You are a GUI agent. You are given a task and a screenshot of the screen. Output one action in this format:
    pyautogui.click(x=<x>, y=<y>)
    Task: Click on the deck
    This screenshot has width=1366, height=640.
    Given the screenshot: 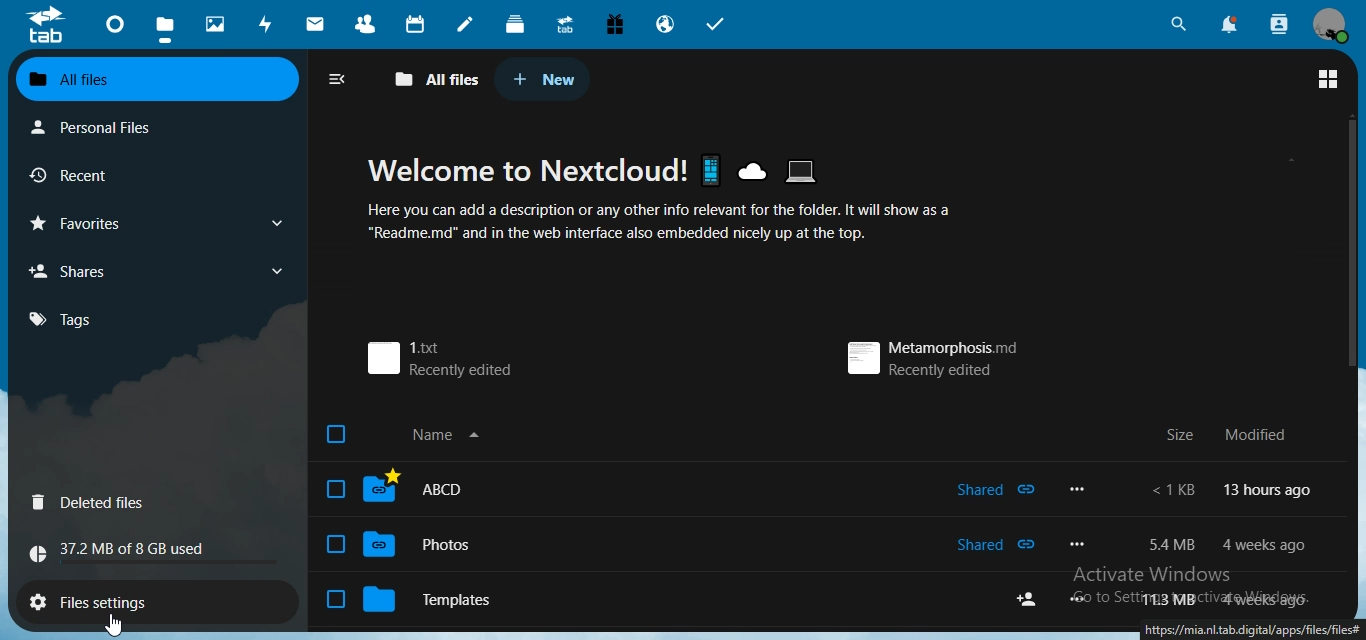 What is the action you would take?
    pyautogui.click(x=516, y=26)
    